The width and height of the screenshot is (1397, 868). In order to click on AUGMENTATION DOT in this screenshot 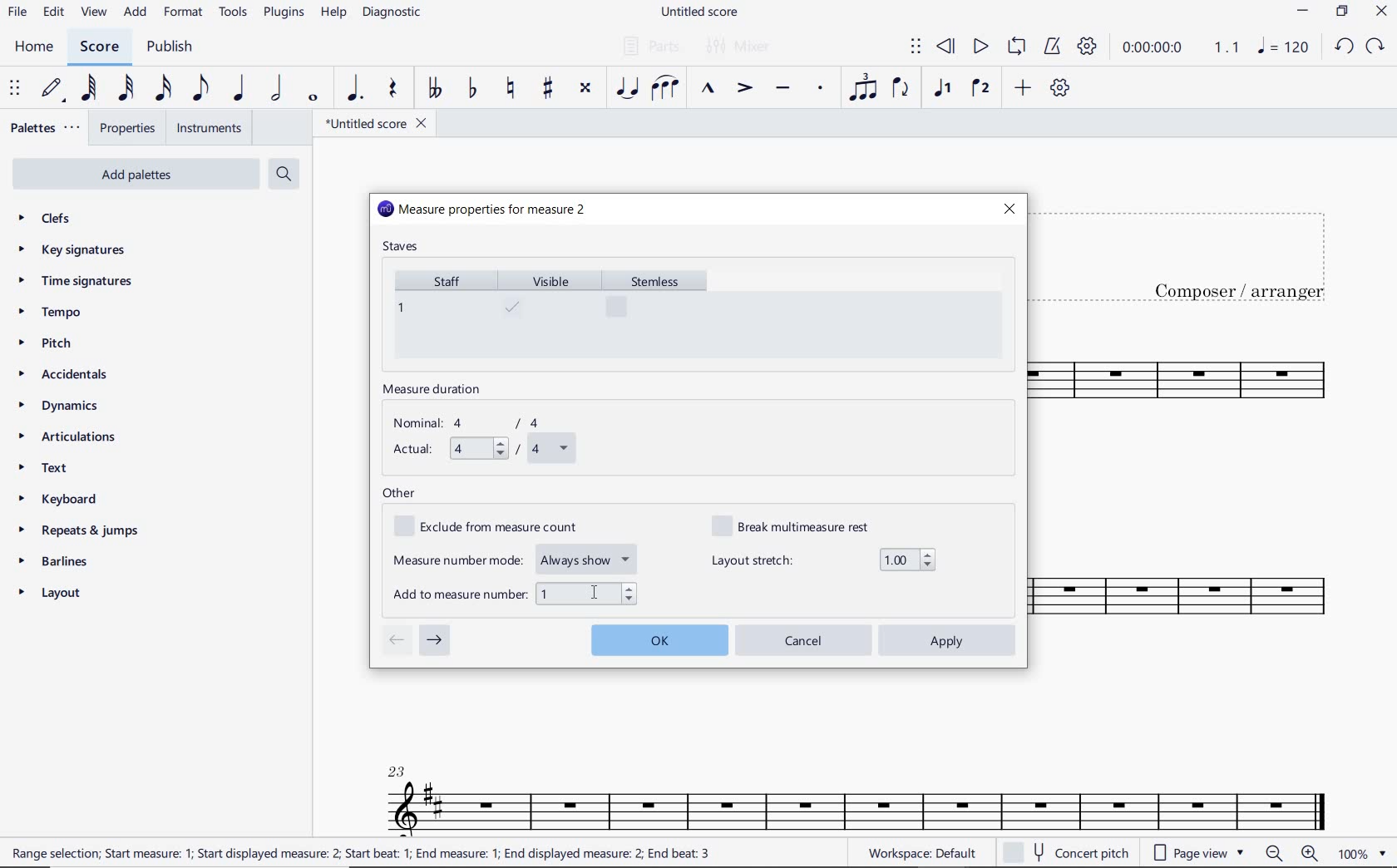, I will do `click(357, 89)`.